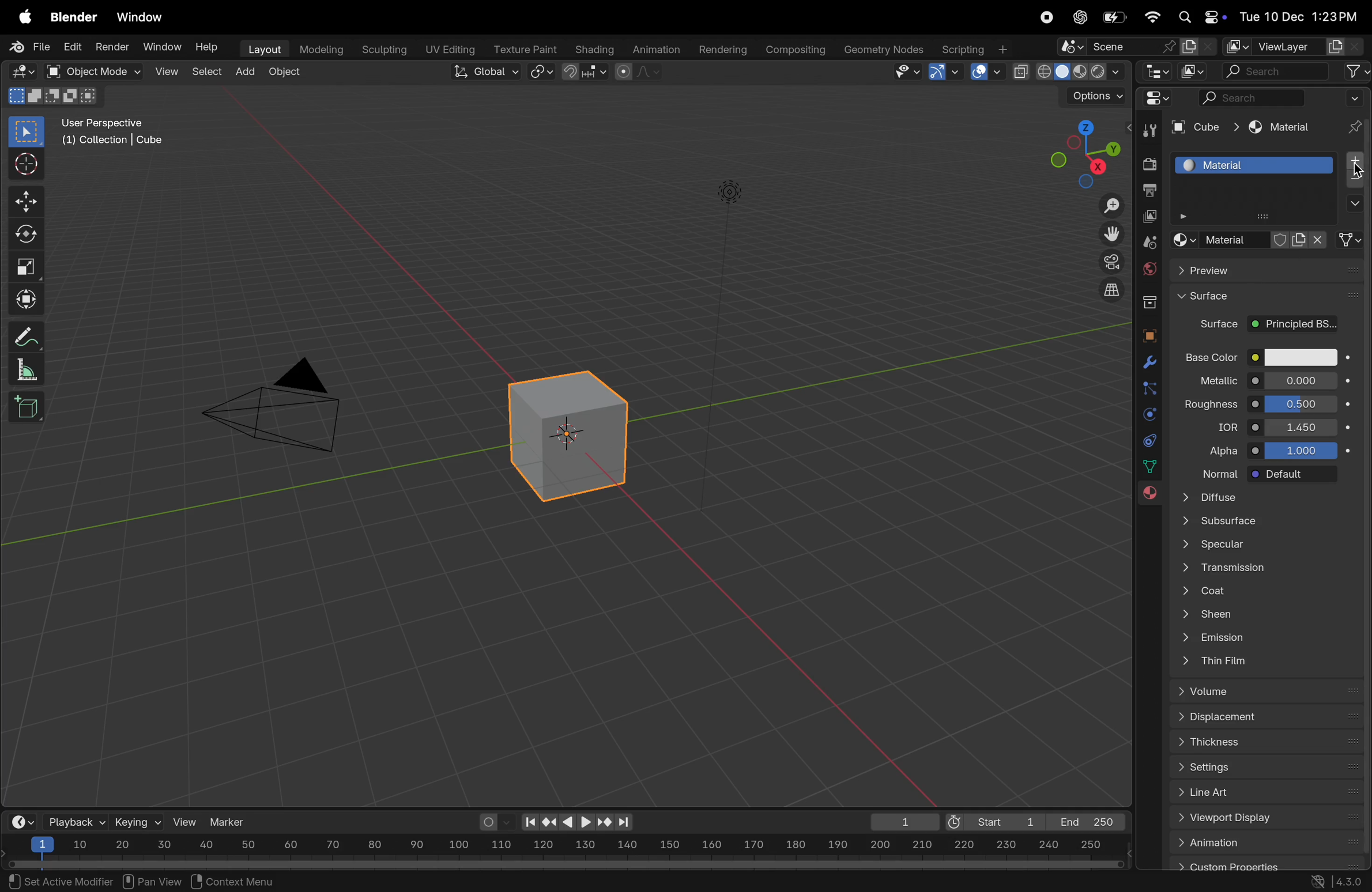 This screenshot has height=892, width=1372. What do you see at coordinates (24, 263) in the screenshot?
I see `scale` at bounding box center [24, 263].